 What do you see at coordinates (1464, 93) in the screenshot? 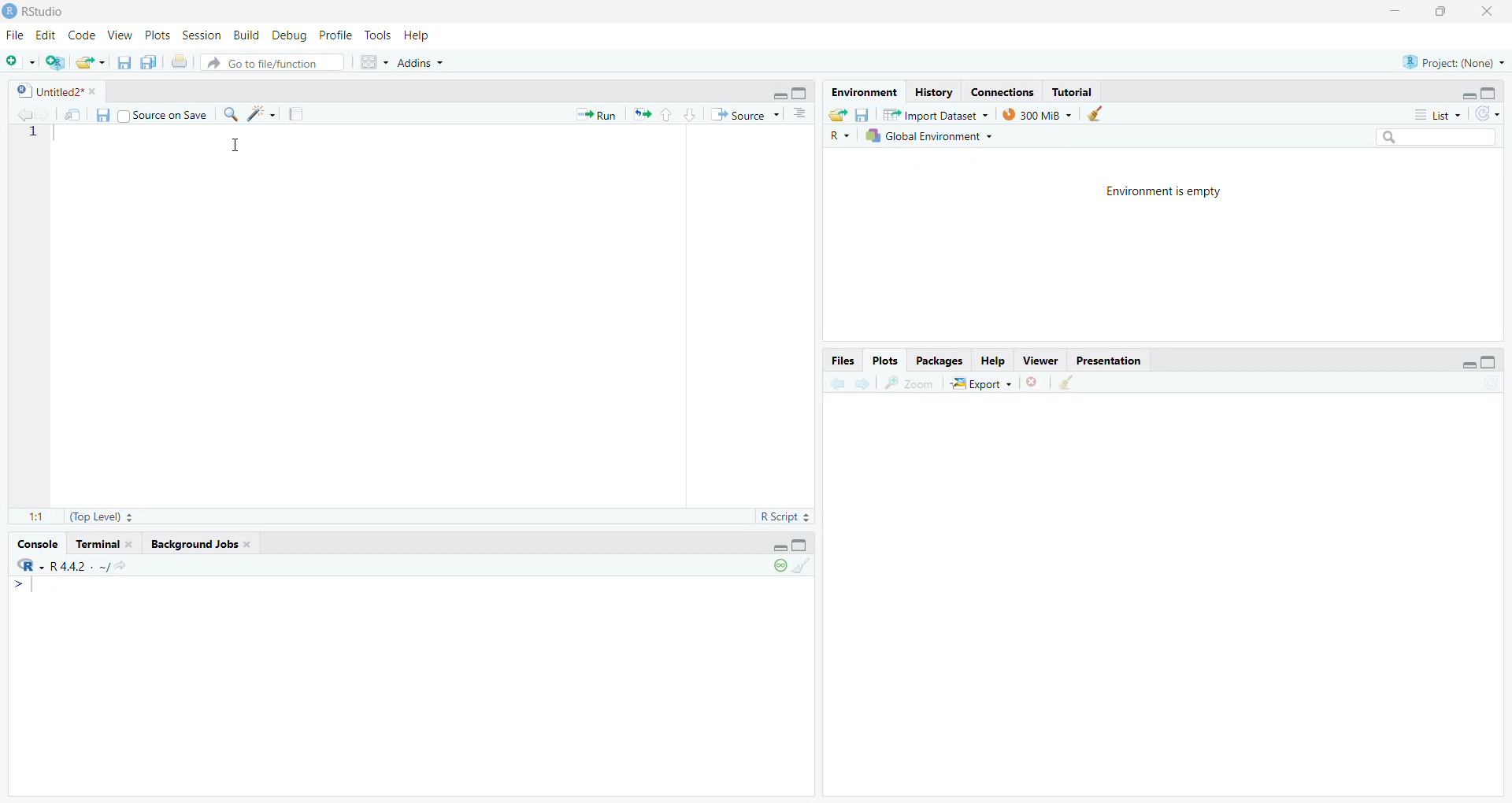
I see `hide r script` at bounding box center [1464, 93].